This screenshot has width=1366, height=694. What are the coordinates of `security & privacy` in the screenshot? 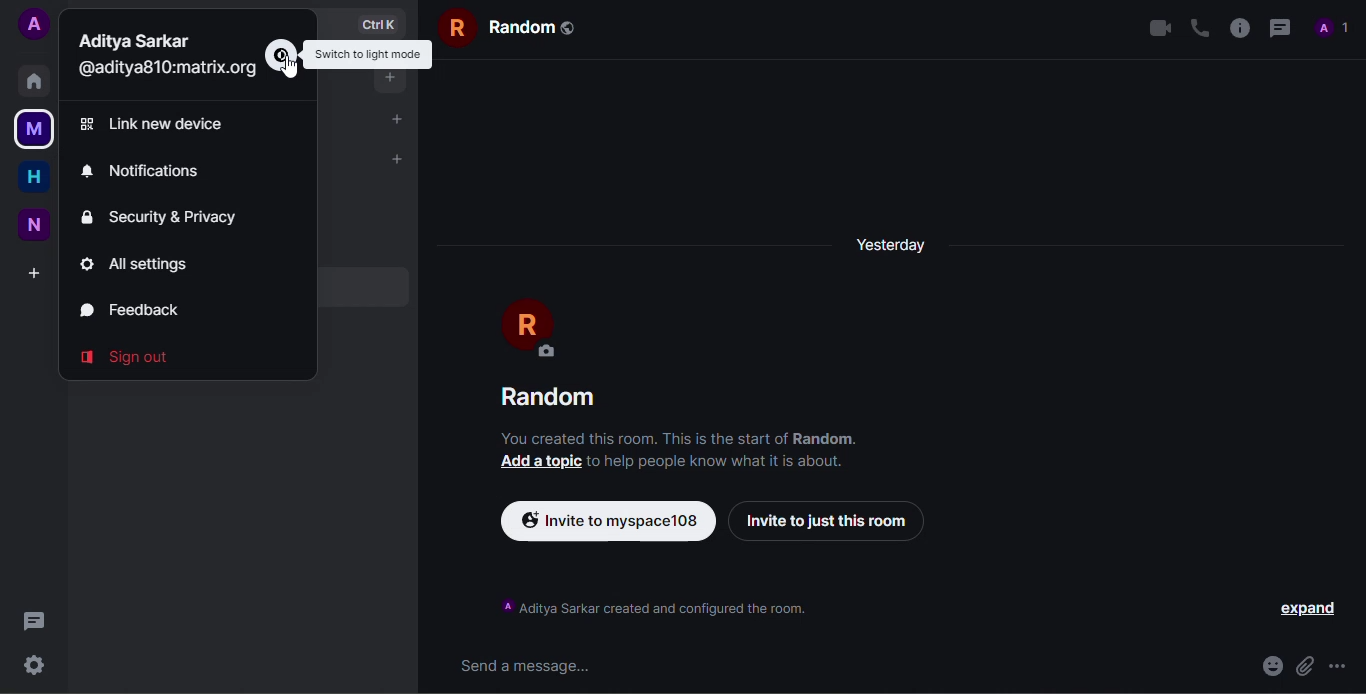 It's located at (164, 217).